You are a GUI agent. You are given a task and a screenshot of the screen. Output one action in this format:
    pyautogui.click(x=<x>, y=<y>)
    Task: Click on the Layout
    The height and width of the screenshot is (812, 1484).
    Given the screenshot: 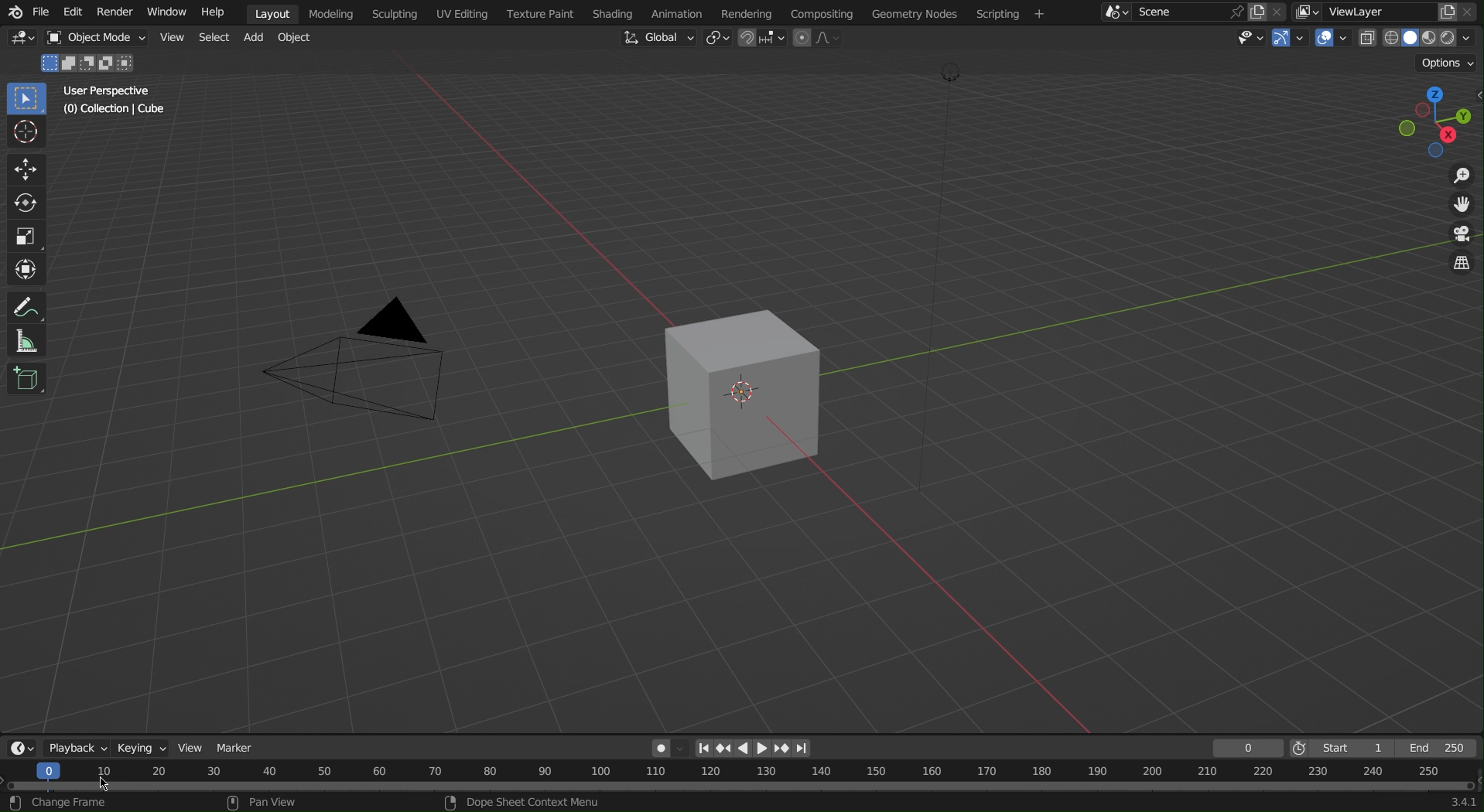 What is the action you would take?
    pyautogui.click(x=272, y=12)
    